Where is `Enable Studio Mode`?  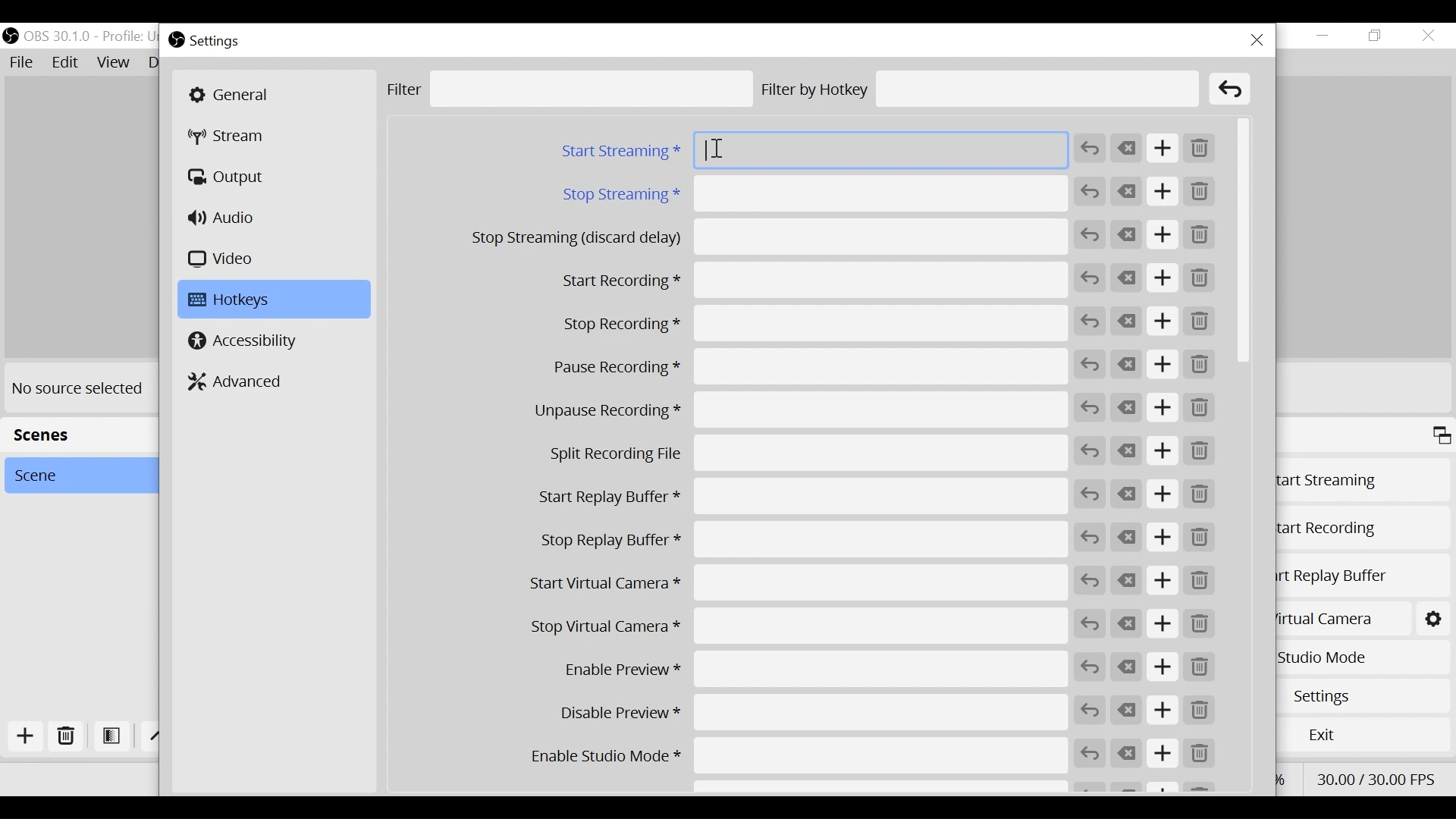 Enable Studio Mode is located at coordinates (799, 756).